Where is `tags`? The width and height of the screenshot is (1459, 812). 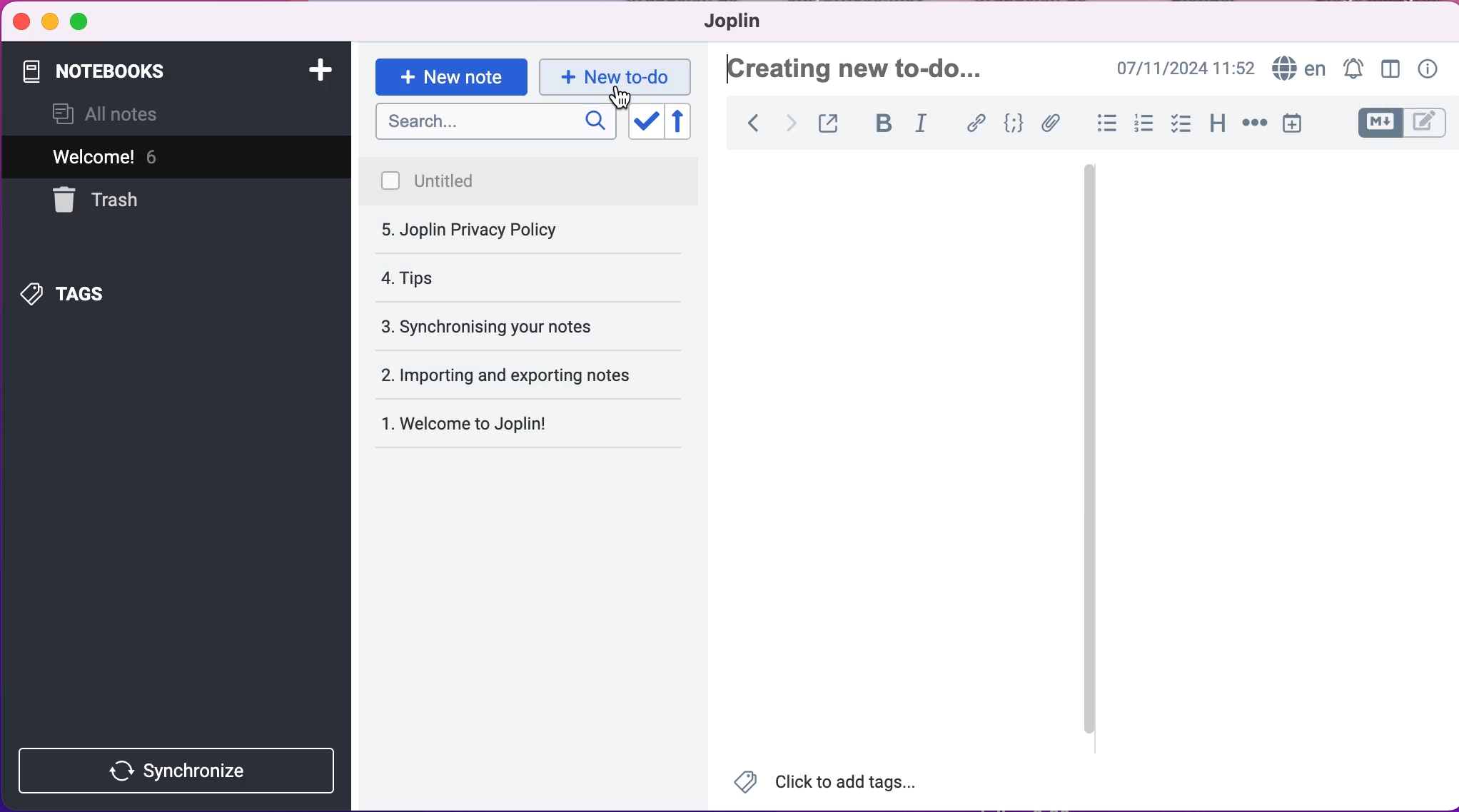
tags is located at coordinates (92, 291).